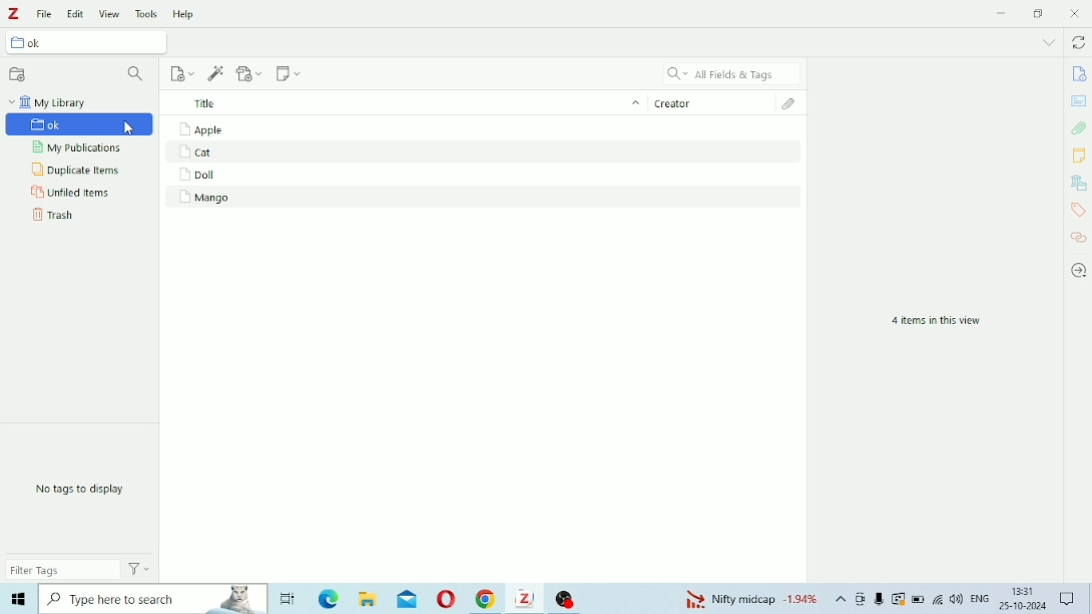  Describe the element at coordinates (18, 74) in the screenshot. I see `New Collection` at that location.